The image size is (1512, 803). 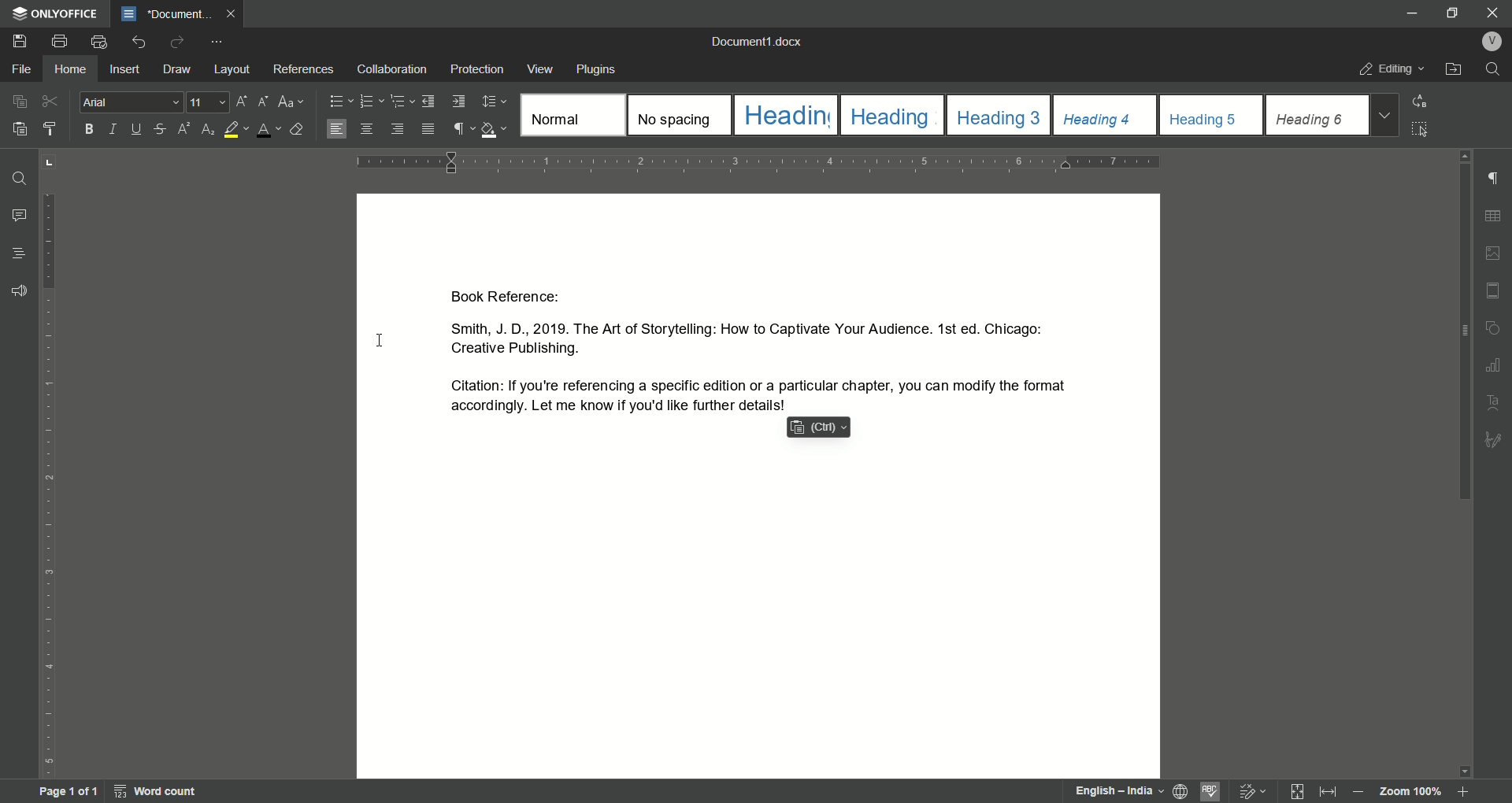 What do you see at coordinates (53, 129) in the screenshot?
I see `copy style` at bounding box center [53, 129].